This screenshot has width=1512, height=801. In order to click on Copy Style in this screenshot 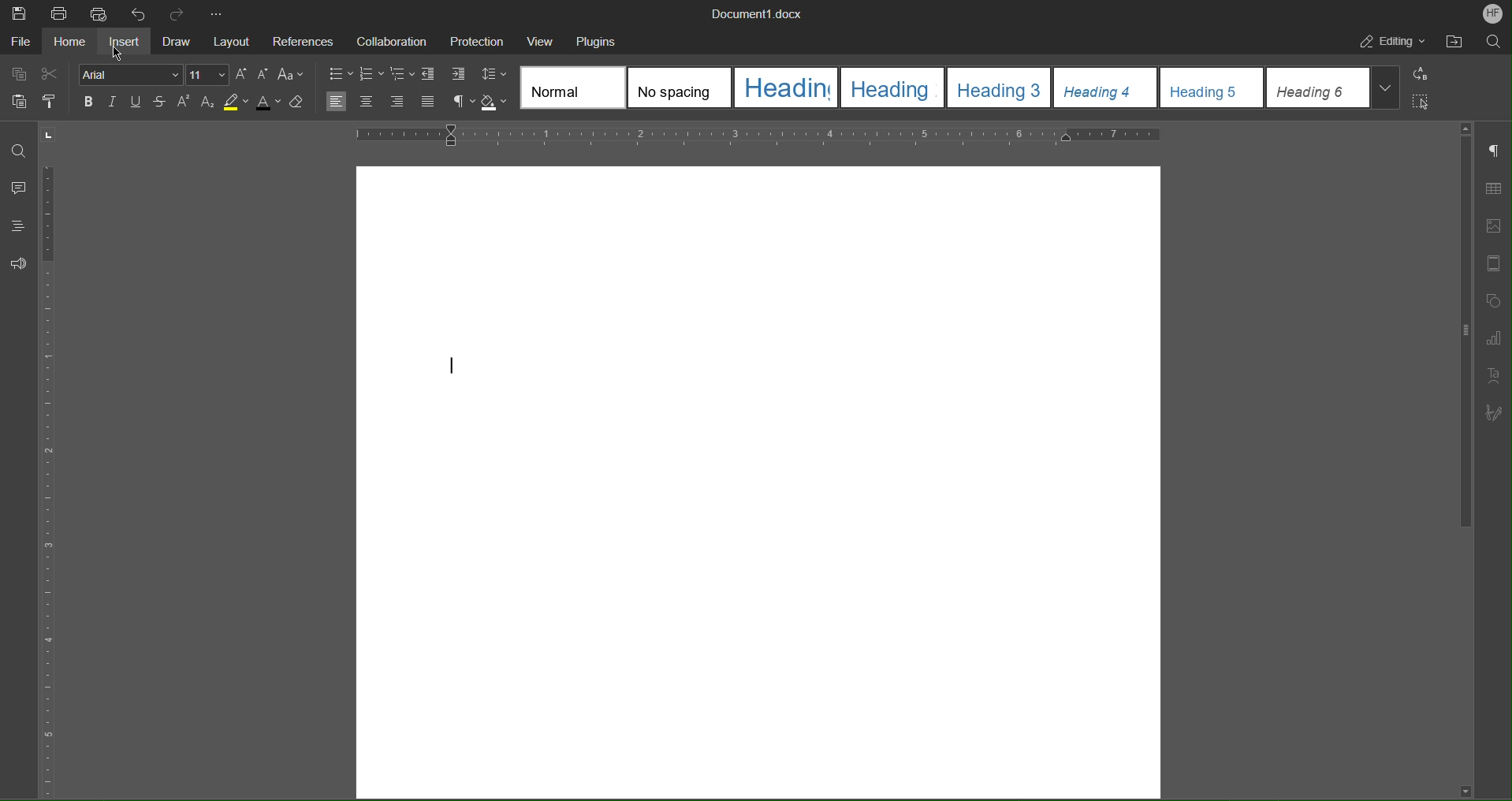, I will do `click(51, 102)`.